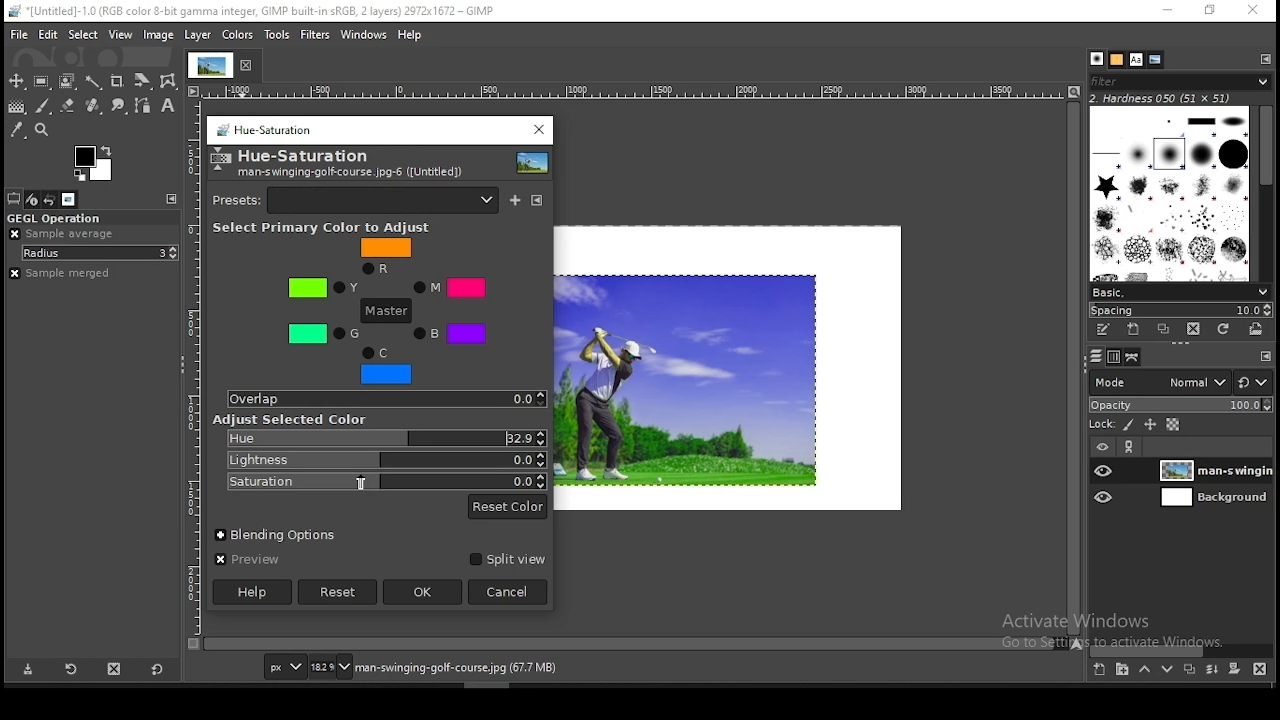 The height and width of the screenshot is (720, 1280). I want to click on brush tool, so click(47, 107).